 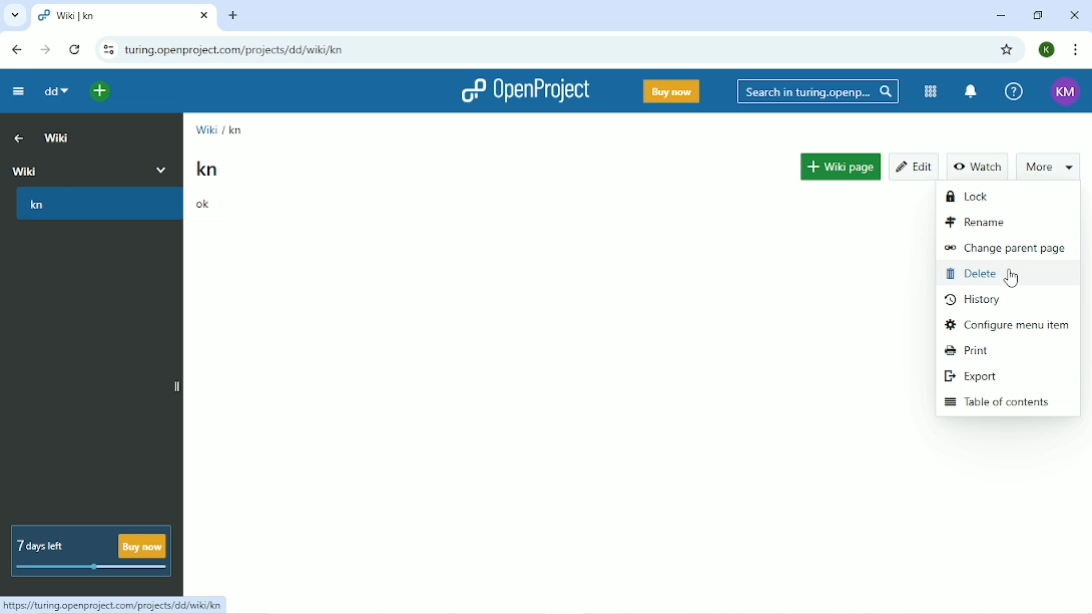 I want to click on Minimize, so click(x=999, y=15).